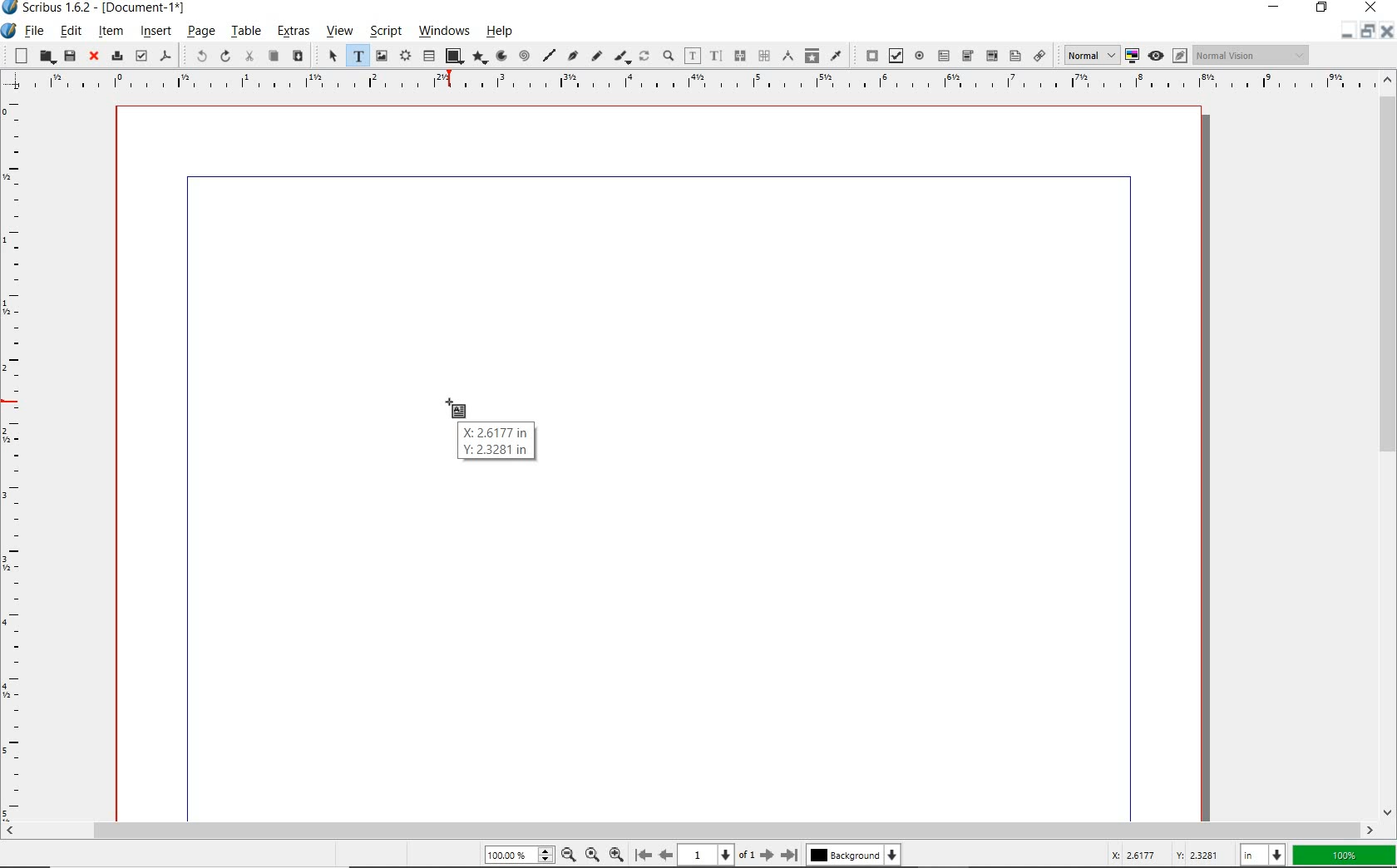  Describe the element at coordinates (570, 856) in the screenshot. I see `Zoom Out` at that location.